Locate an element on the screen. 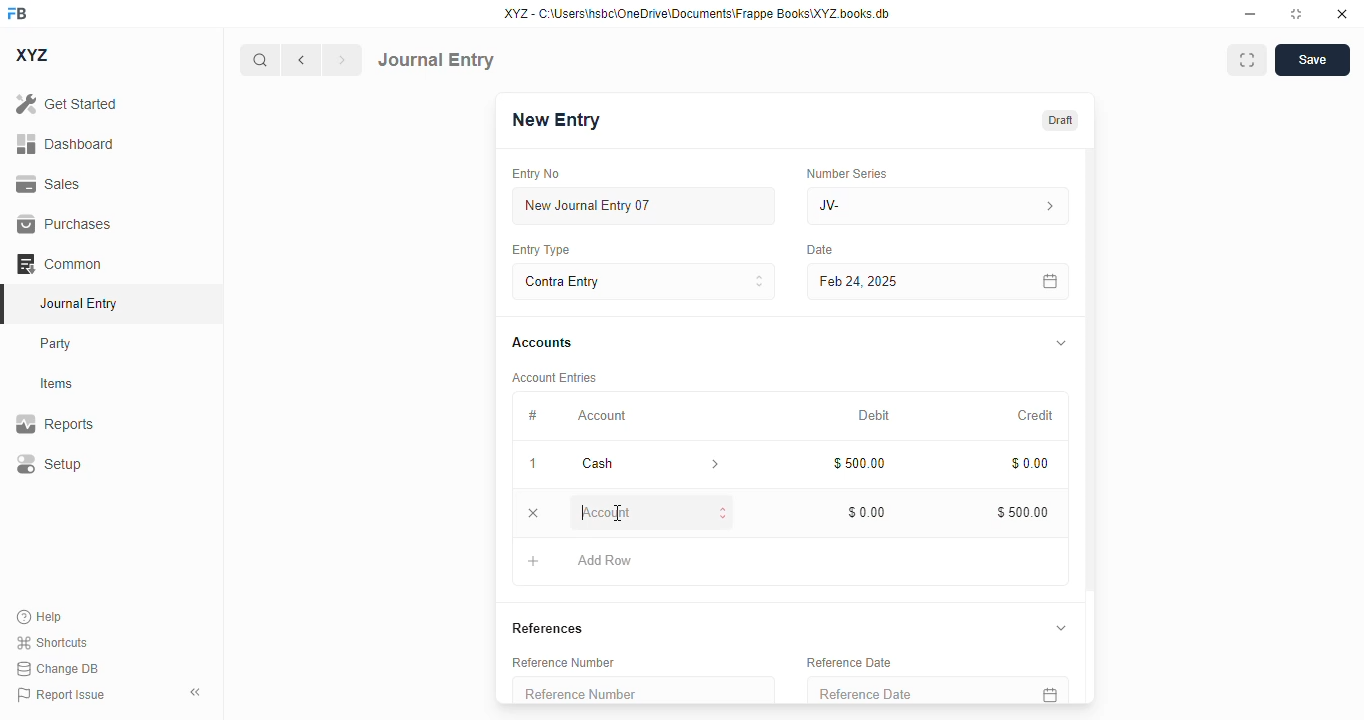  remove is located at coordinates (533, 513).